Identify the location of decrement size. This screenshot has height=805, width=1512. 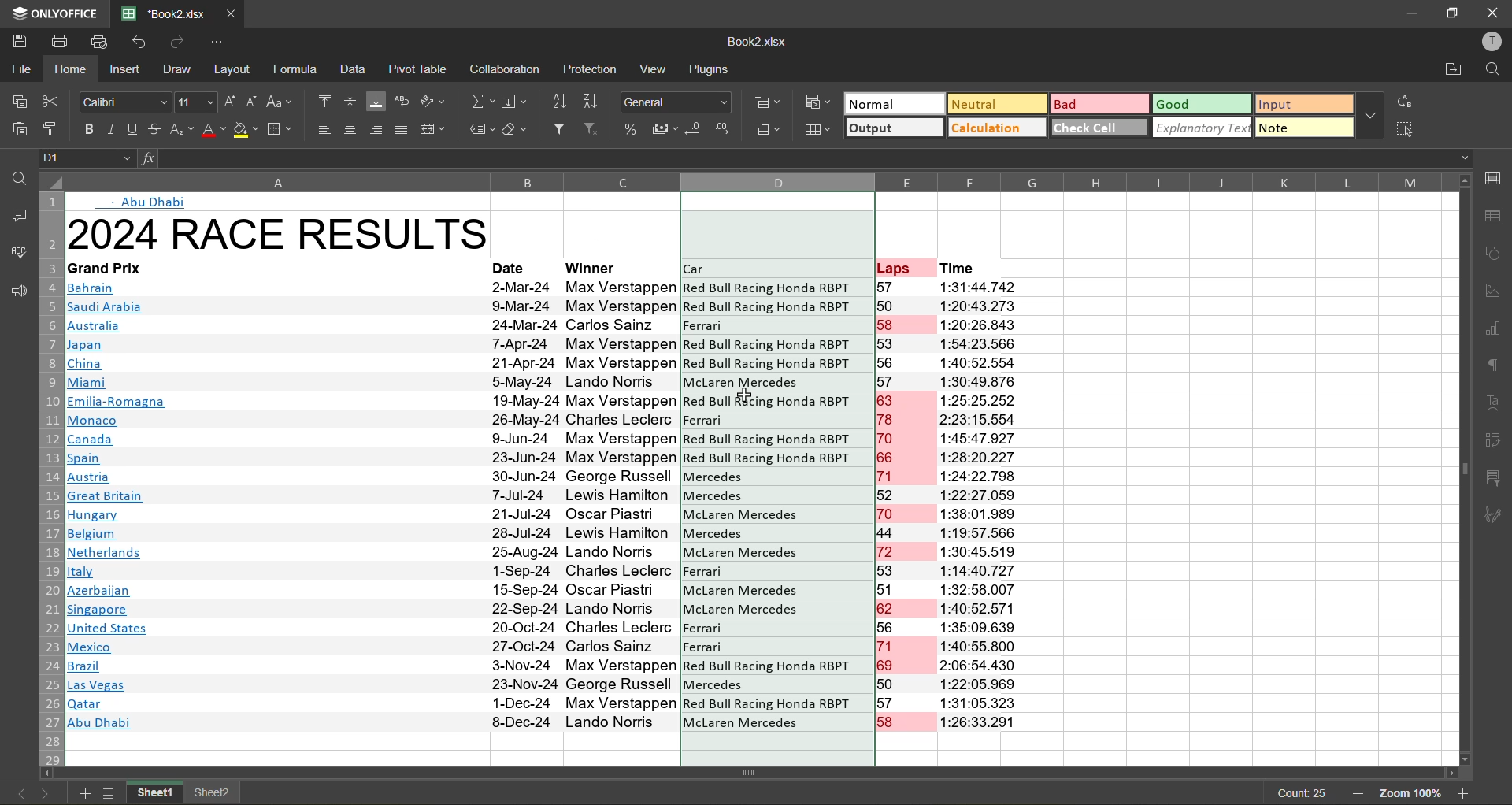
(254, 103).